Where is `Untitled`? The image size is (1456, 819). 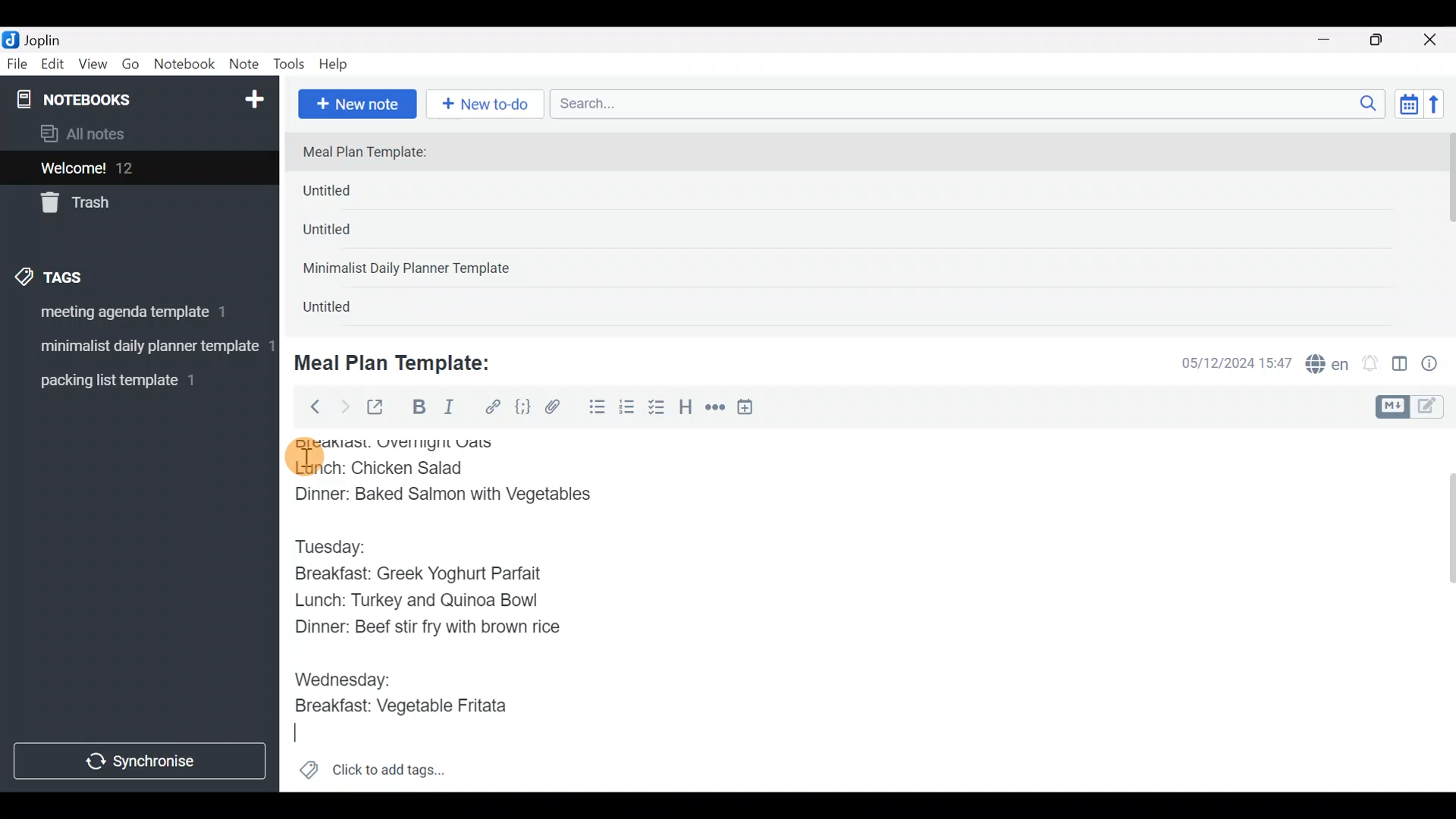 Untitled is located at coordinates (347, 234).